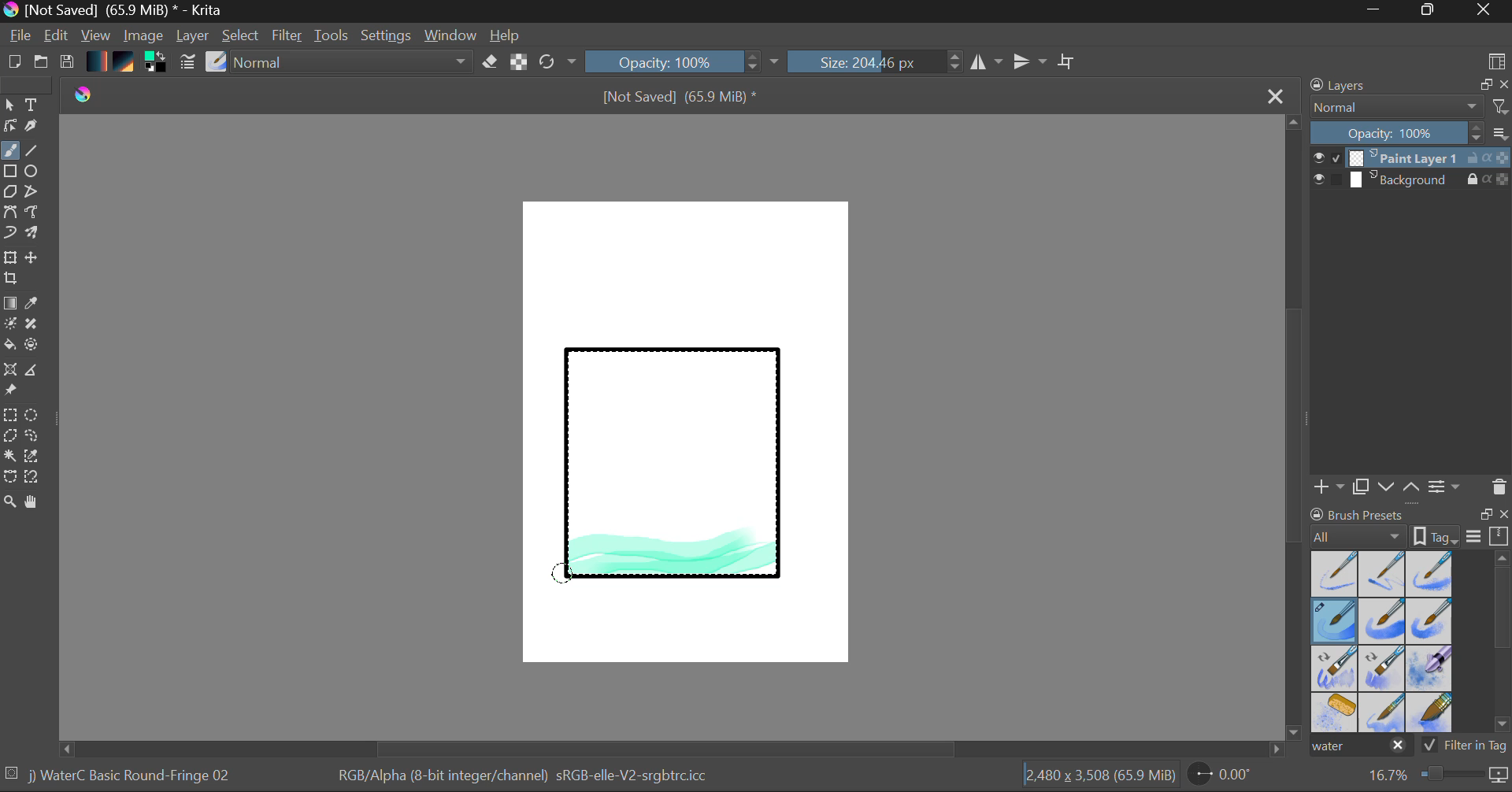 The height and width of the screenshot is (792, 1512). I want to click on Fill Gradient, so click(10, 302).